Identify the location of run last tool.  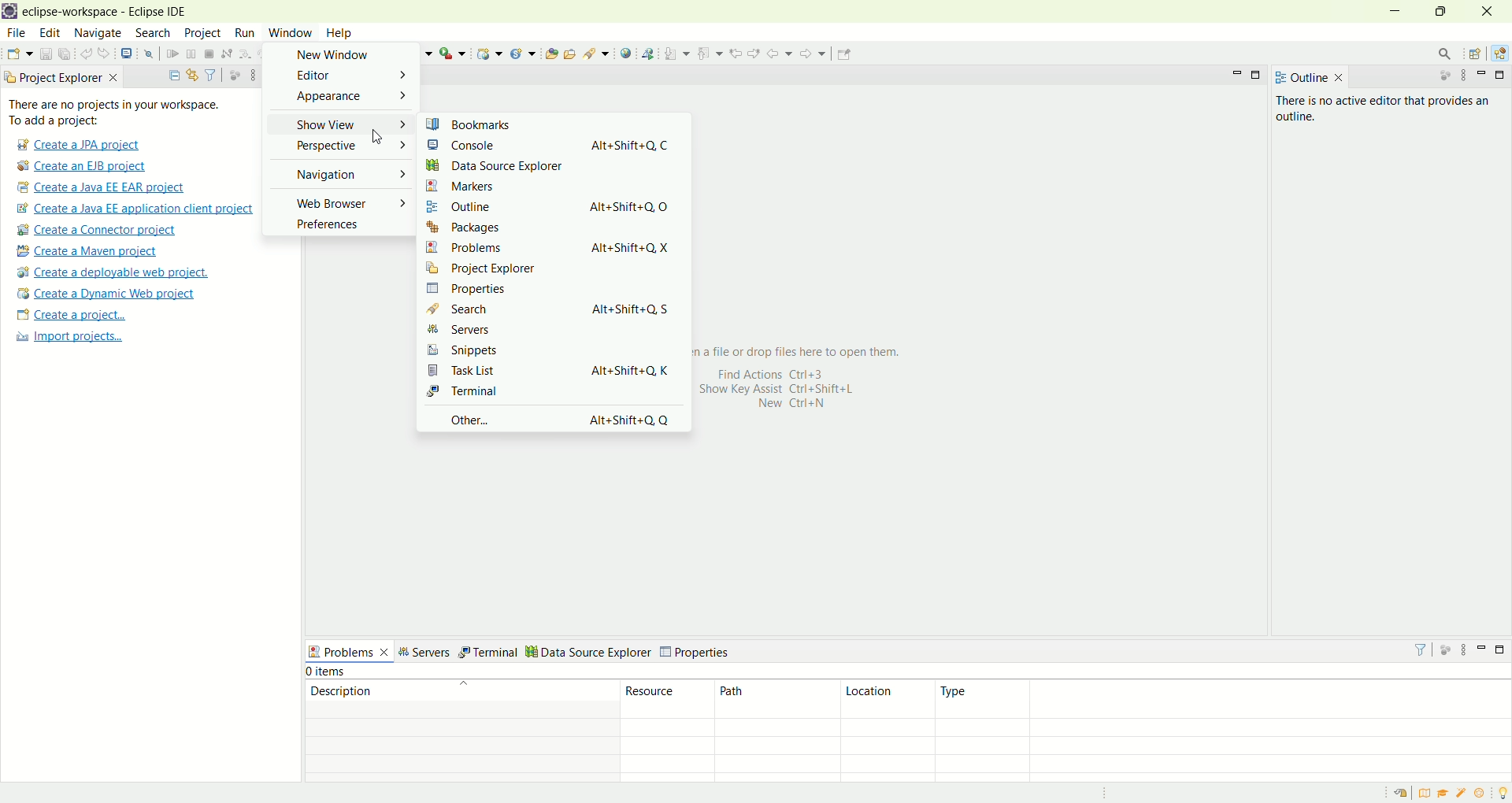
(450, 53).